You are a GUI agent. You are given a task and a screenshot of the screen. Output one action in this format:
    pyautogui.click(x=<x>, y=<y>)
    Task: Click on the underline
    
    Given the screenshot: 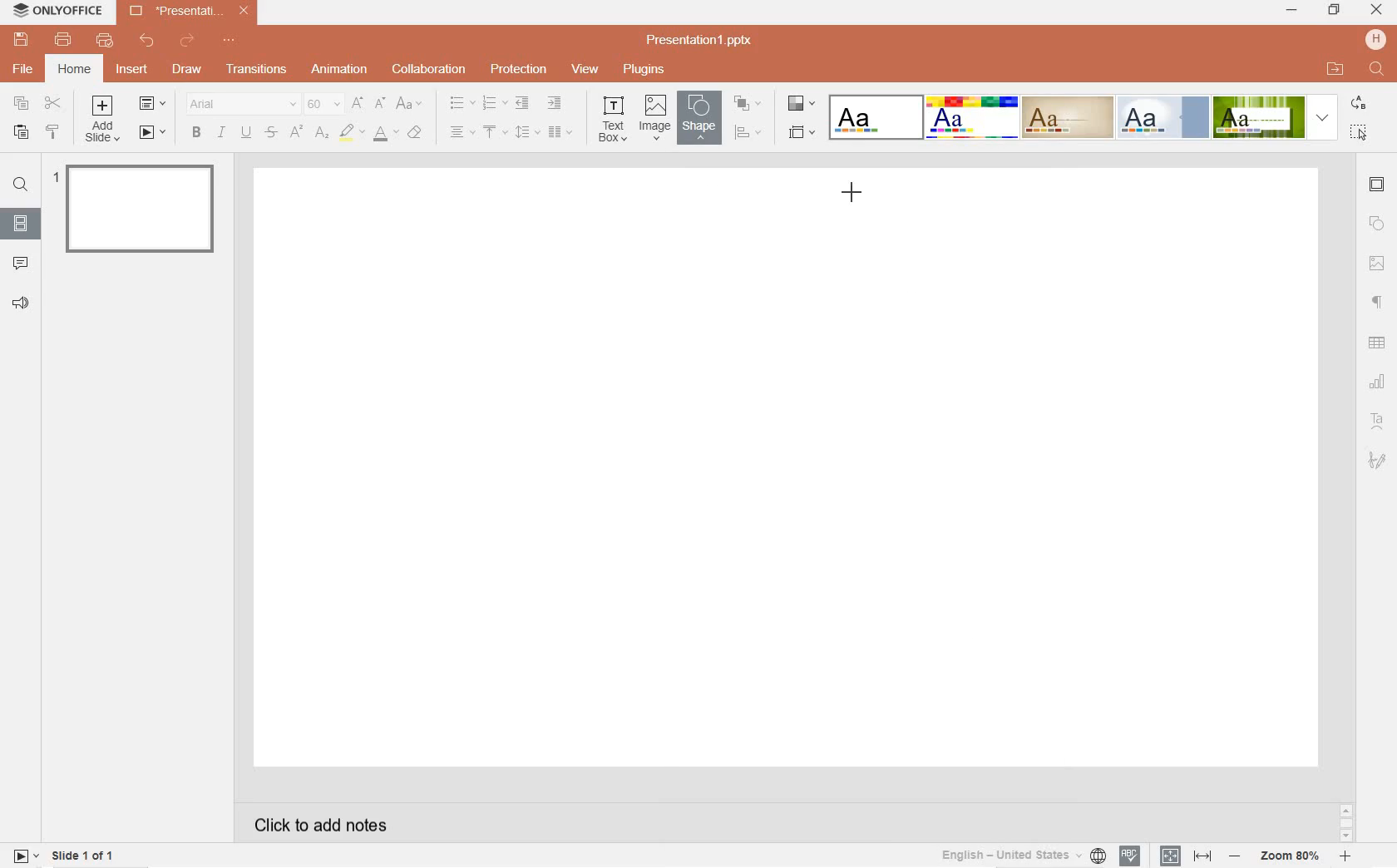 What is the action you would take?
    pyautogui.click(x=245, y=131)
    